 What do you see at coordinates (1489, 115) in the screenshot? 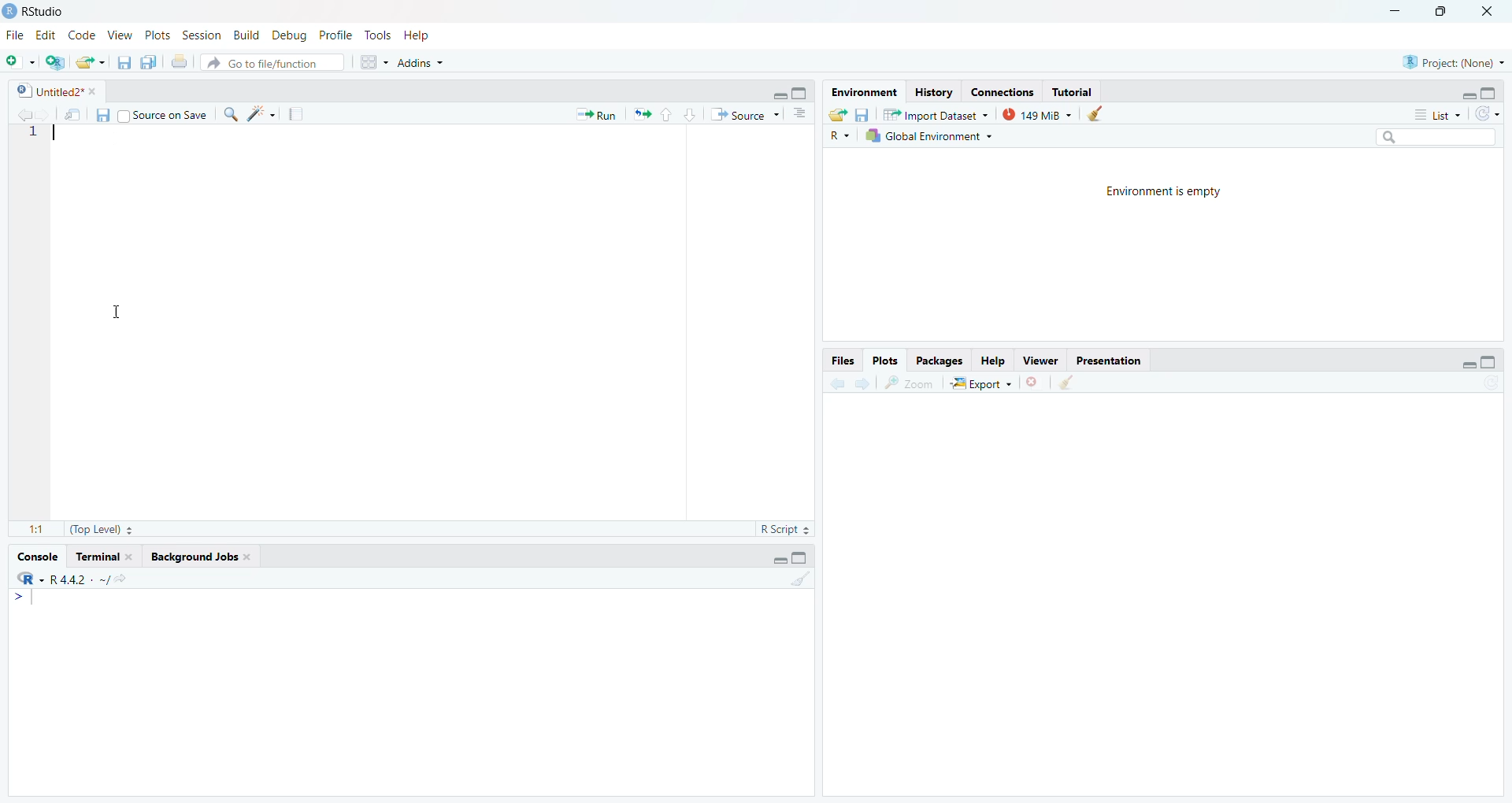
I see `Refresh the list of objects in the environment` at bounding box center [1489, 115].